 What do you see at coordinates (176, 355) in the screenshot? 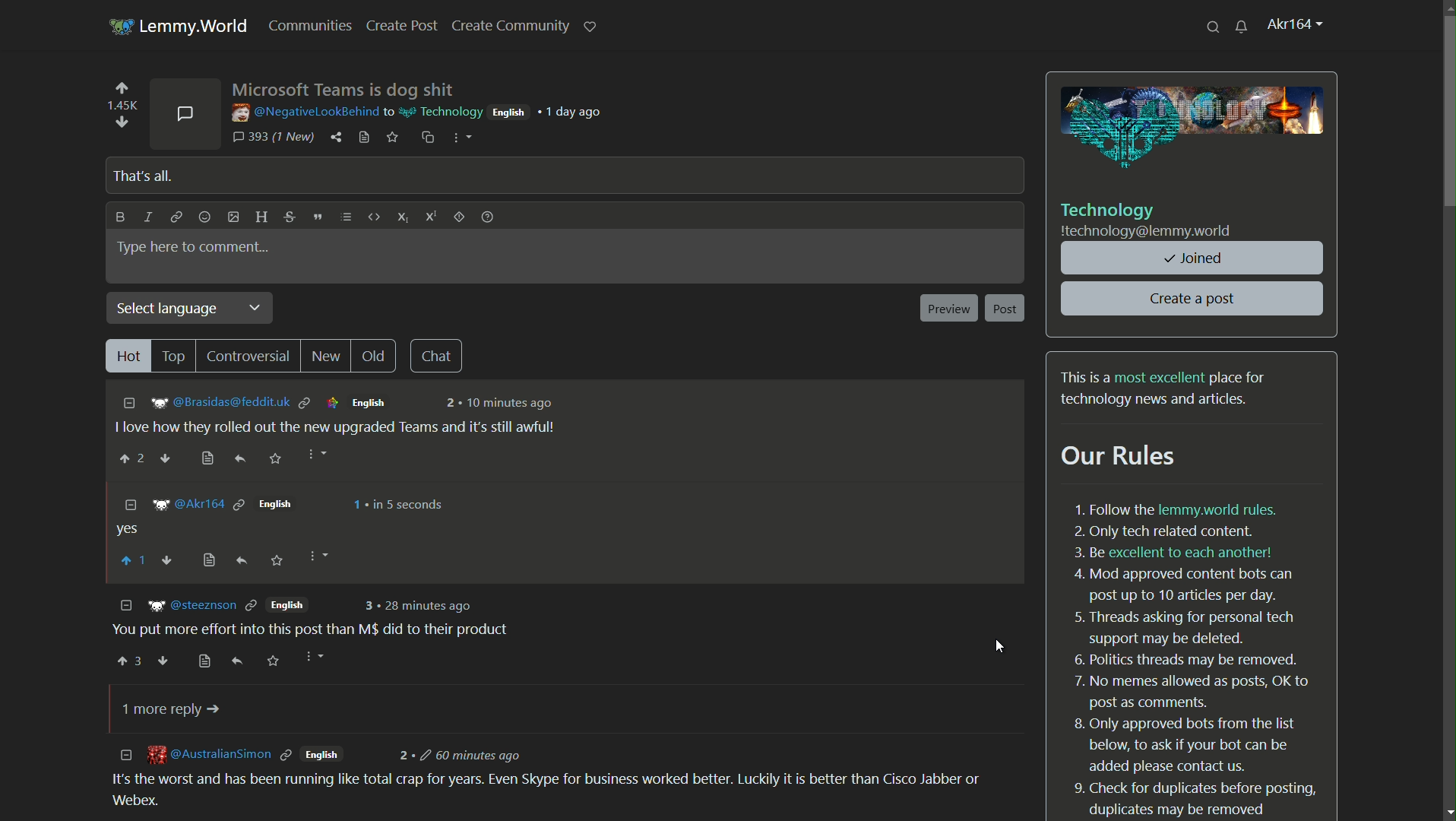
I see `top` at bounding box center [176, 355].